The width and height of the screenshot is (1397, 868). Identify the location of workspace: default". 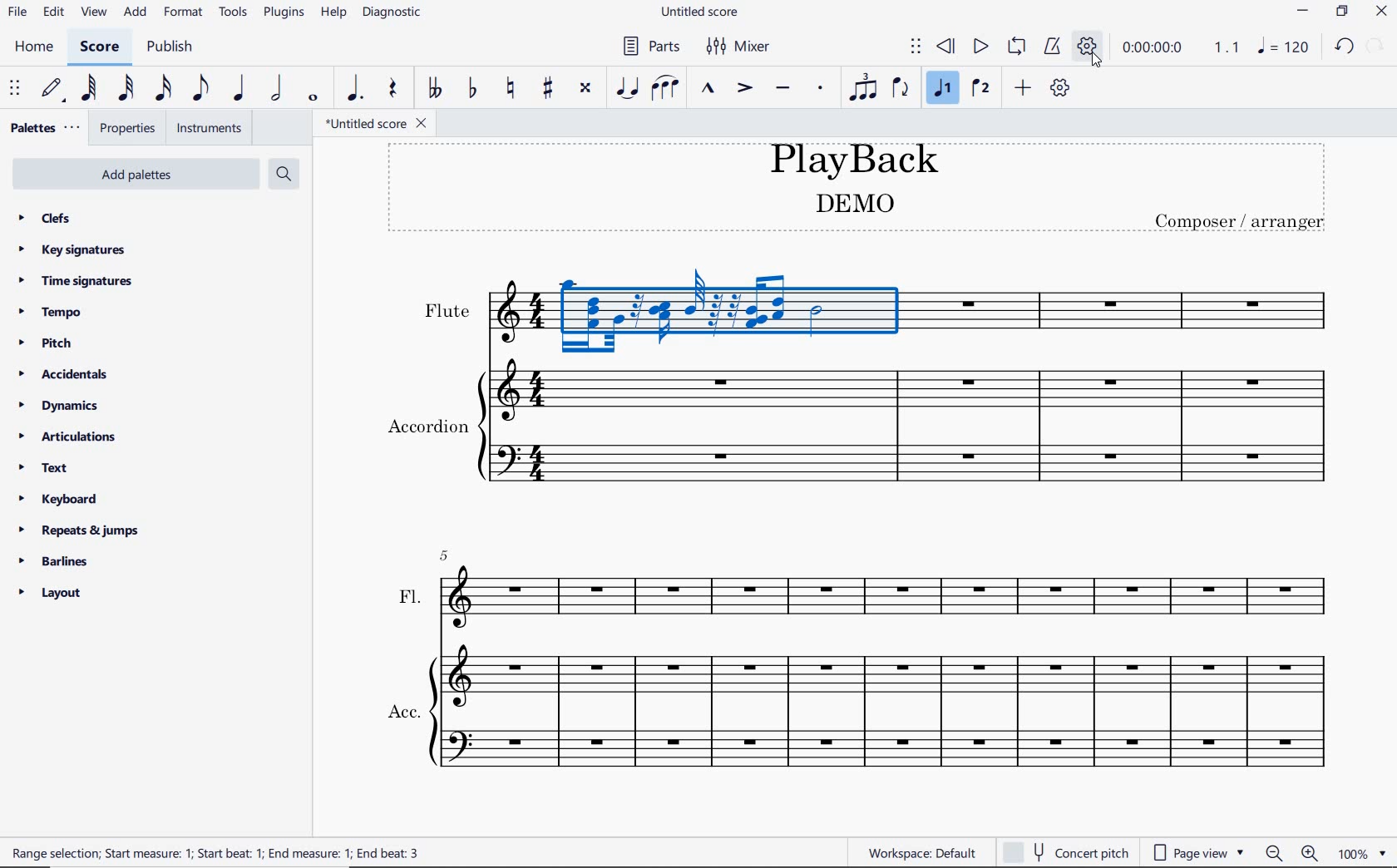
(917, 852).